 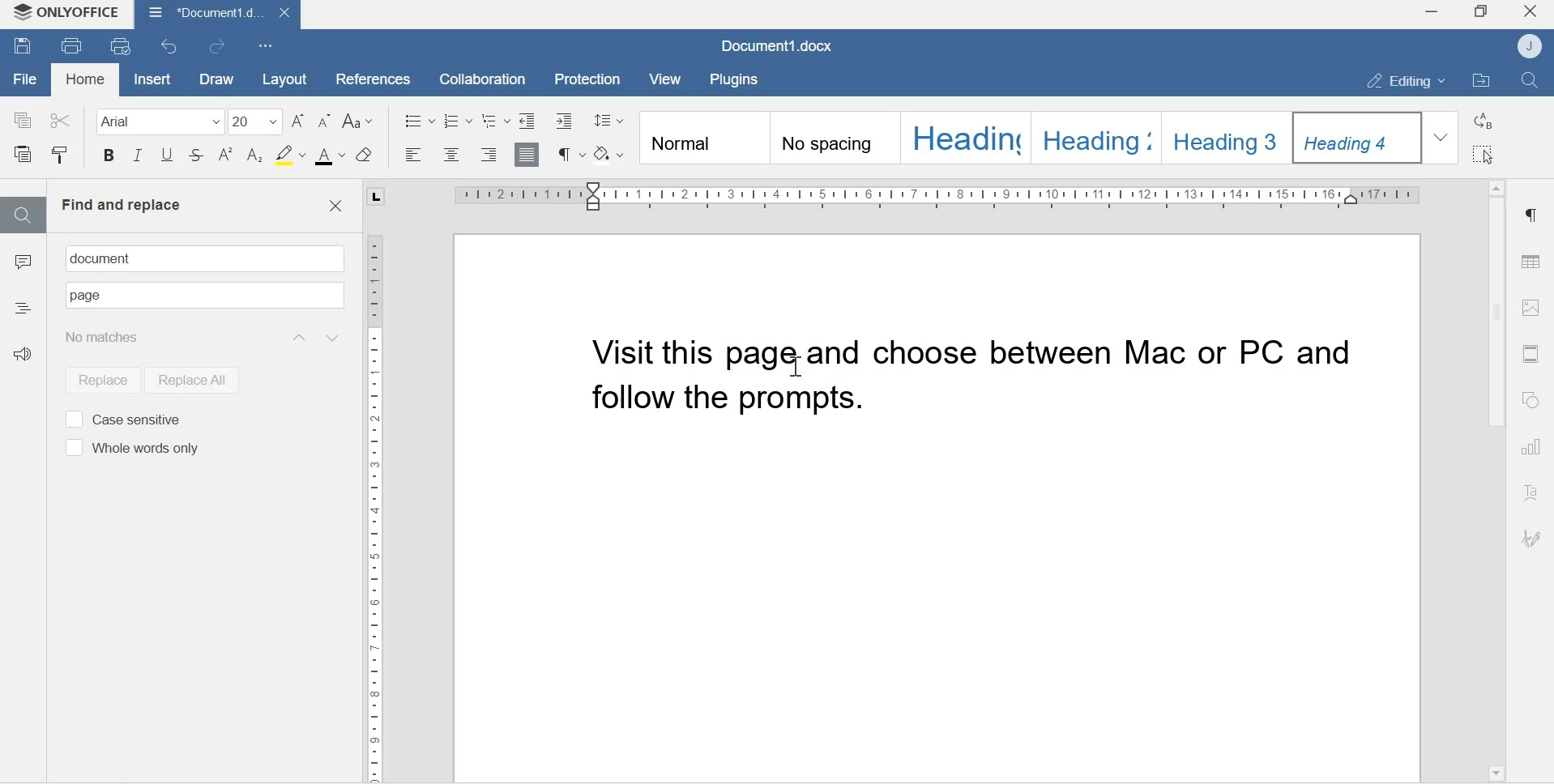 I want to click on Font size, so click(x=257, y=121).